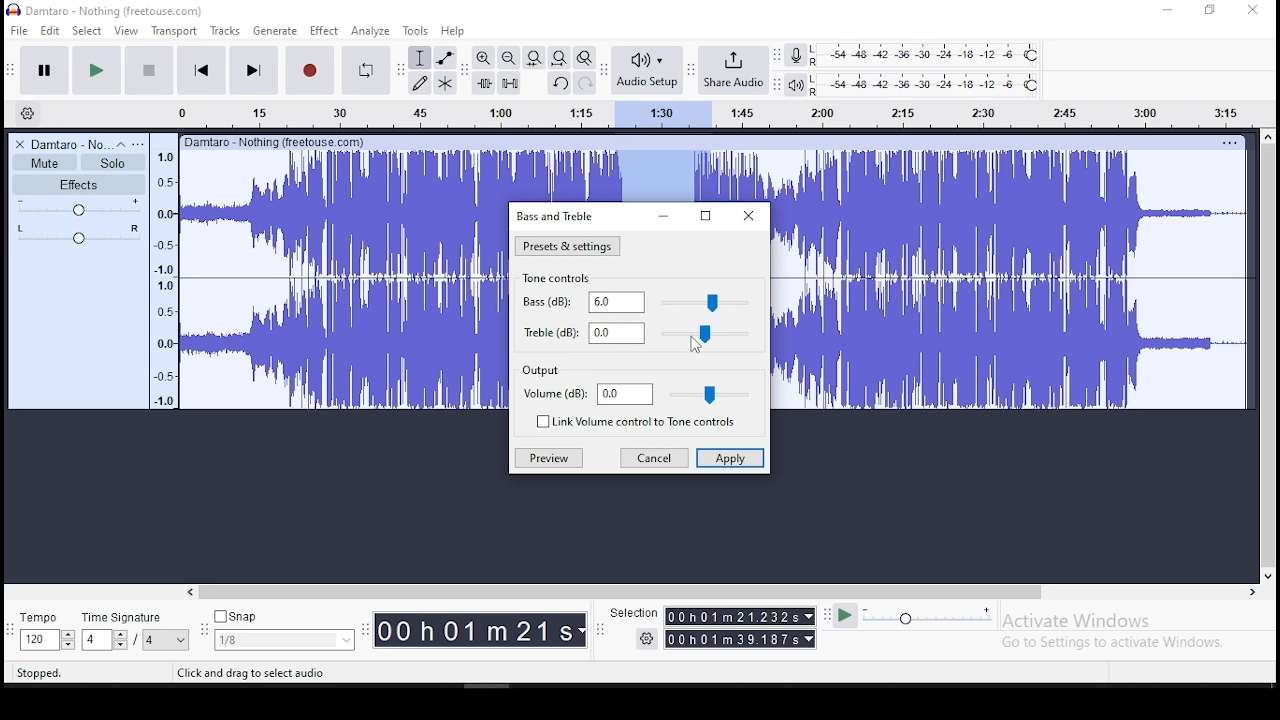 The image size is (1280, 720). What do you see at coordinates (44, 163) in the screenshot?
I see `mute` at bounding box center [44, 163].